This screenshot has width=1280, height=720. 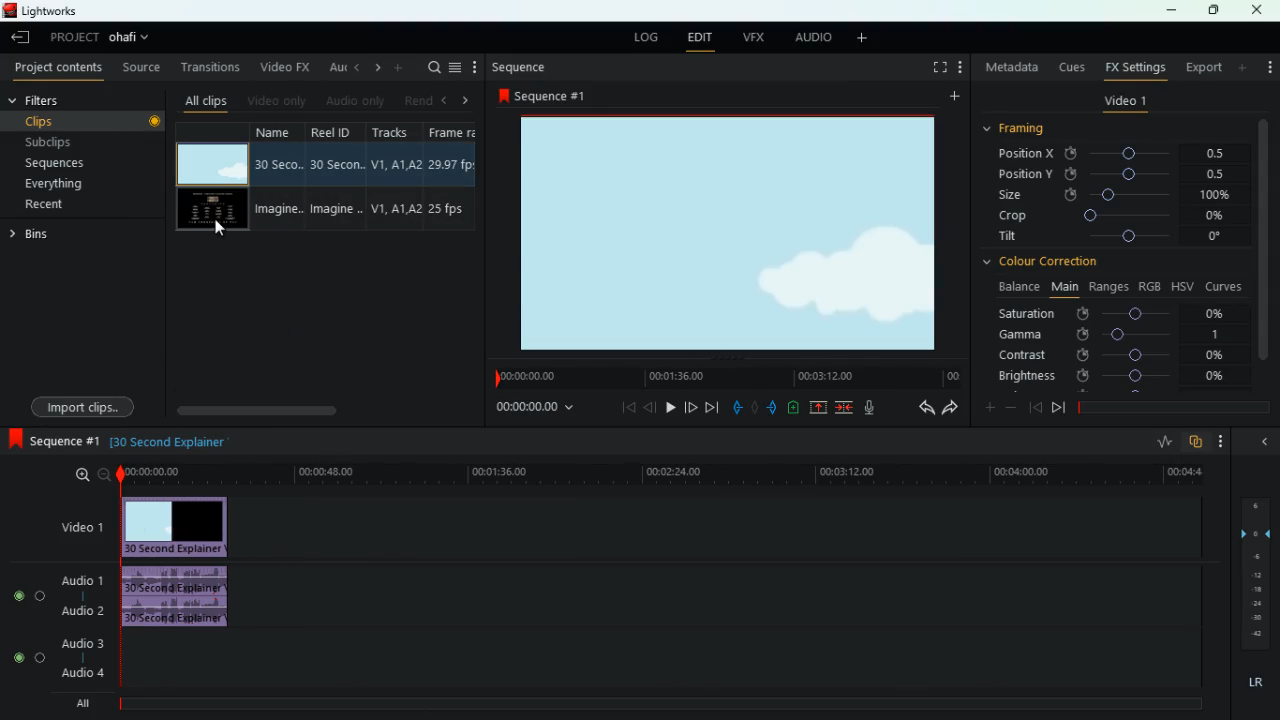 What do you see at coordinates (339, 178) in the screenshot?
I see `reel id` at bounding box center [339, 178].